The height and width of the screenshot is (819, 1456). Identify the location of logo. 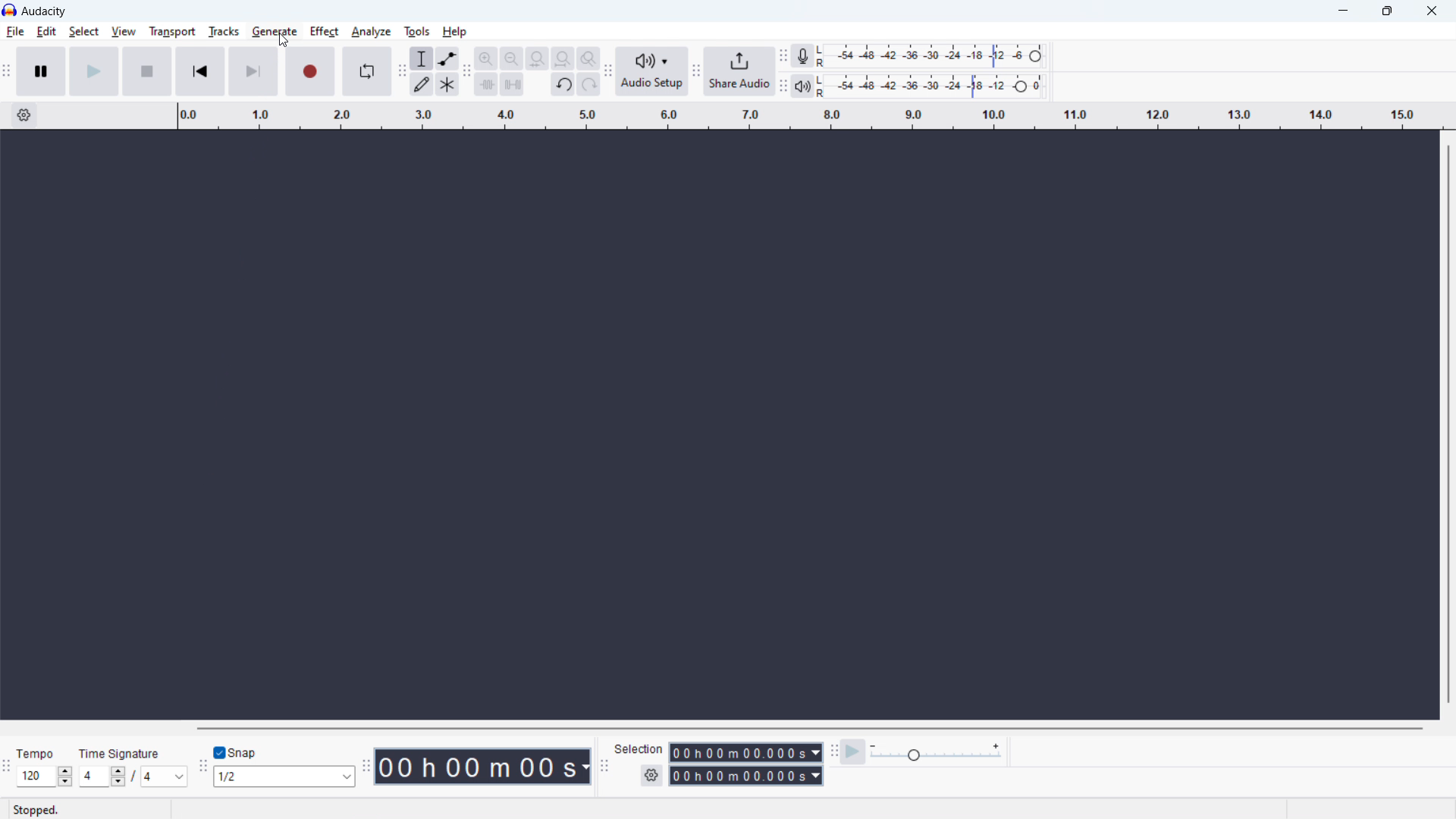
(9, 11).